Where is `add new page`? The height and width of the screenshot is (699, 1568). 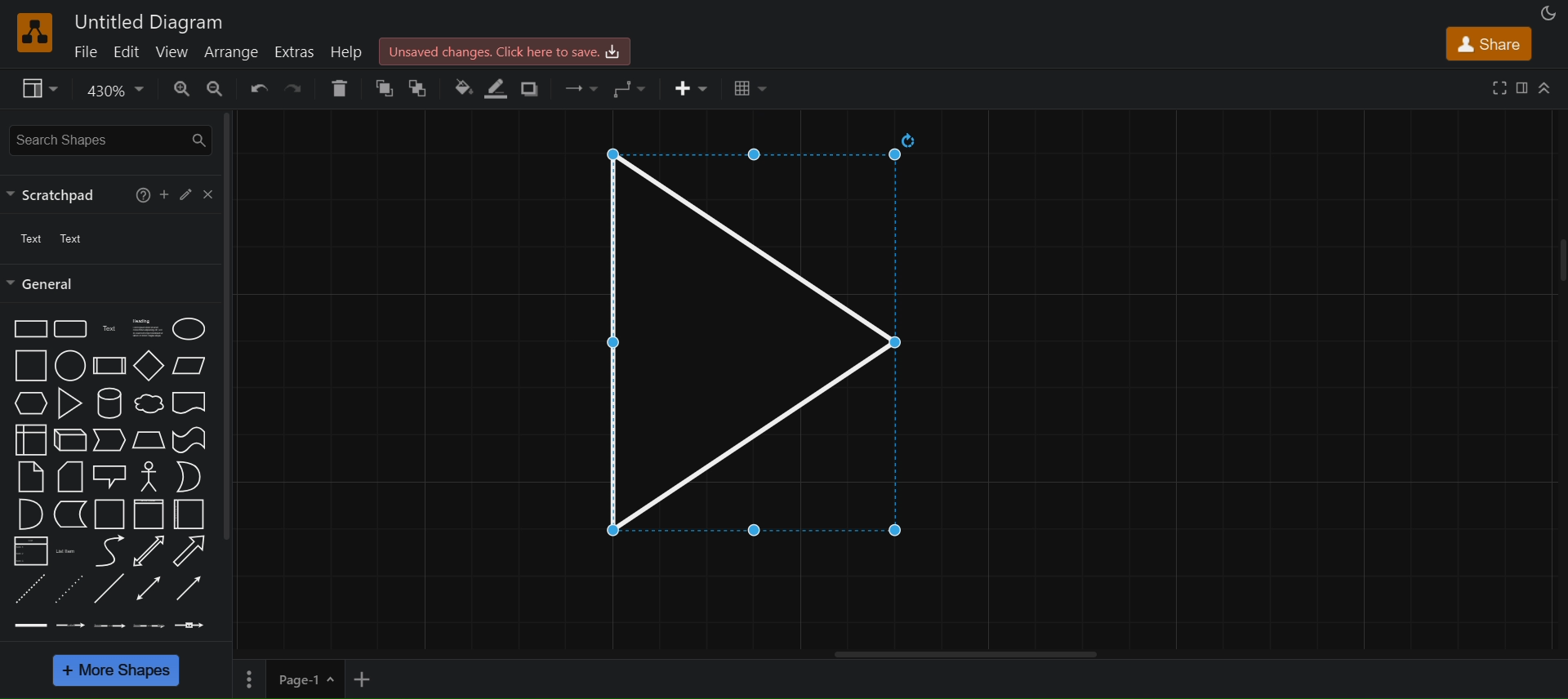
add new page is located at coordinates (375, 678).